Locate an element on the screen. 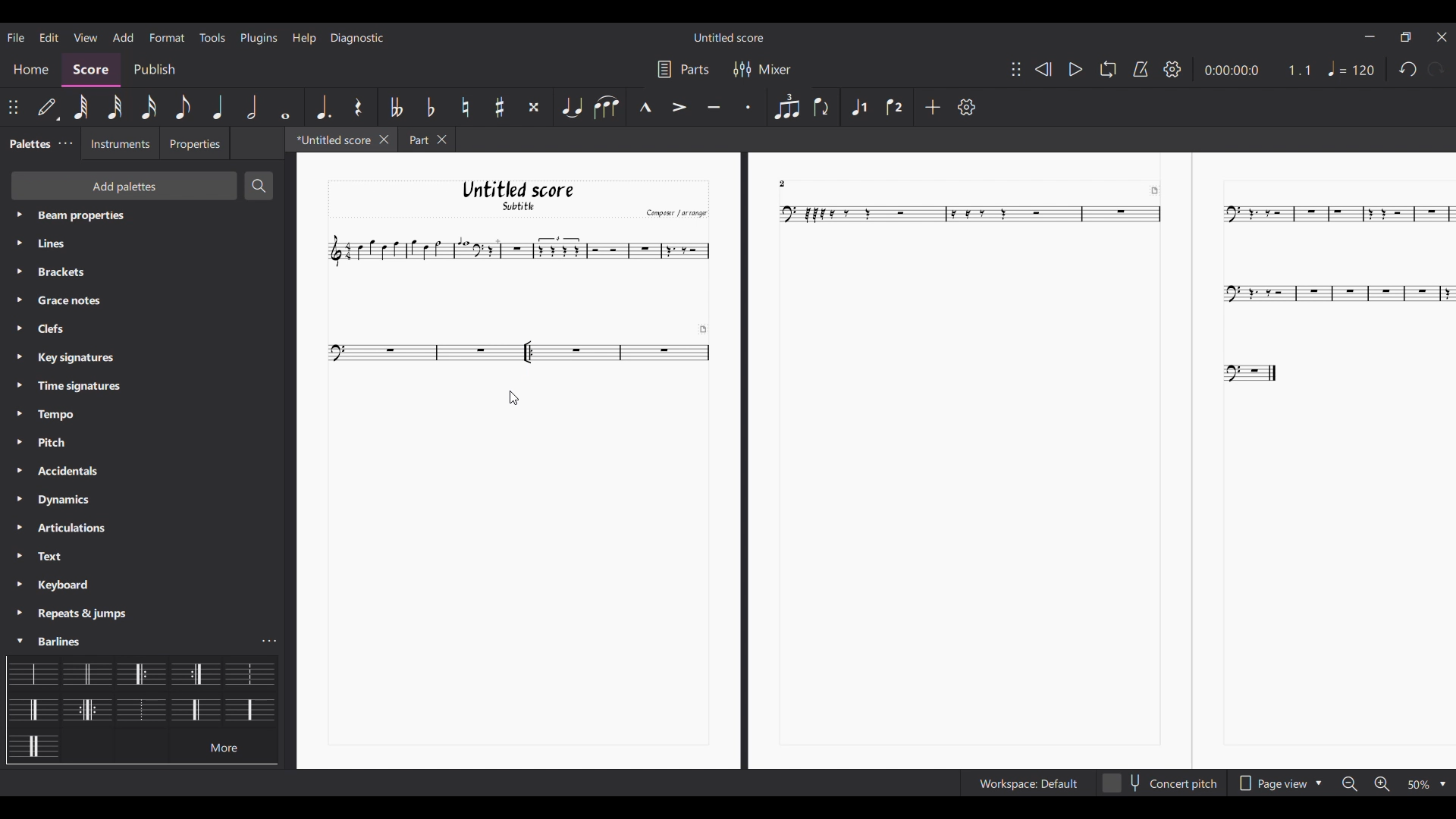 The image size is (1456, 819). Palette settings is located at coordinates (68, 362).